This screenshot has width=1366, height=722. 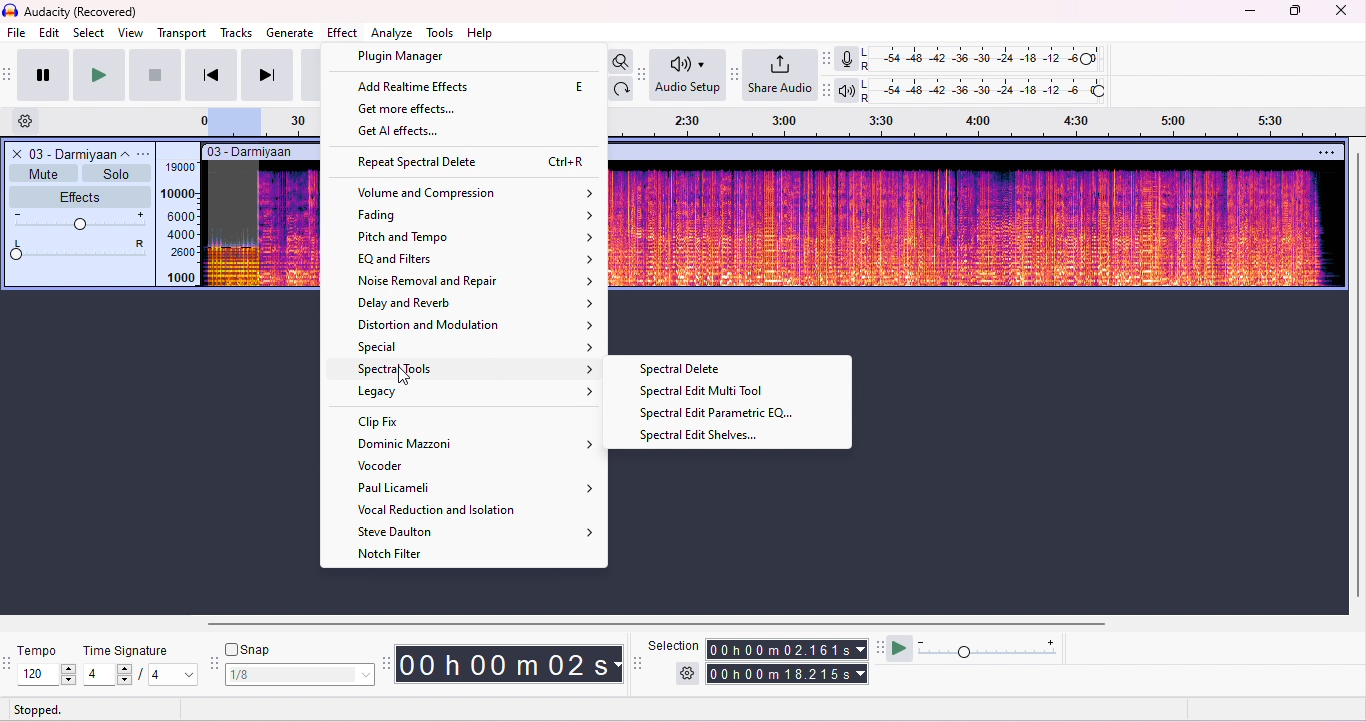 I want to click on recording level, so click(x=987, y=60).